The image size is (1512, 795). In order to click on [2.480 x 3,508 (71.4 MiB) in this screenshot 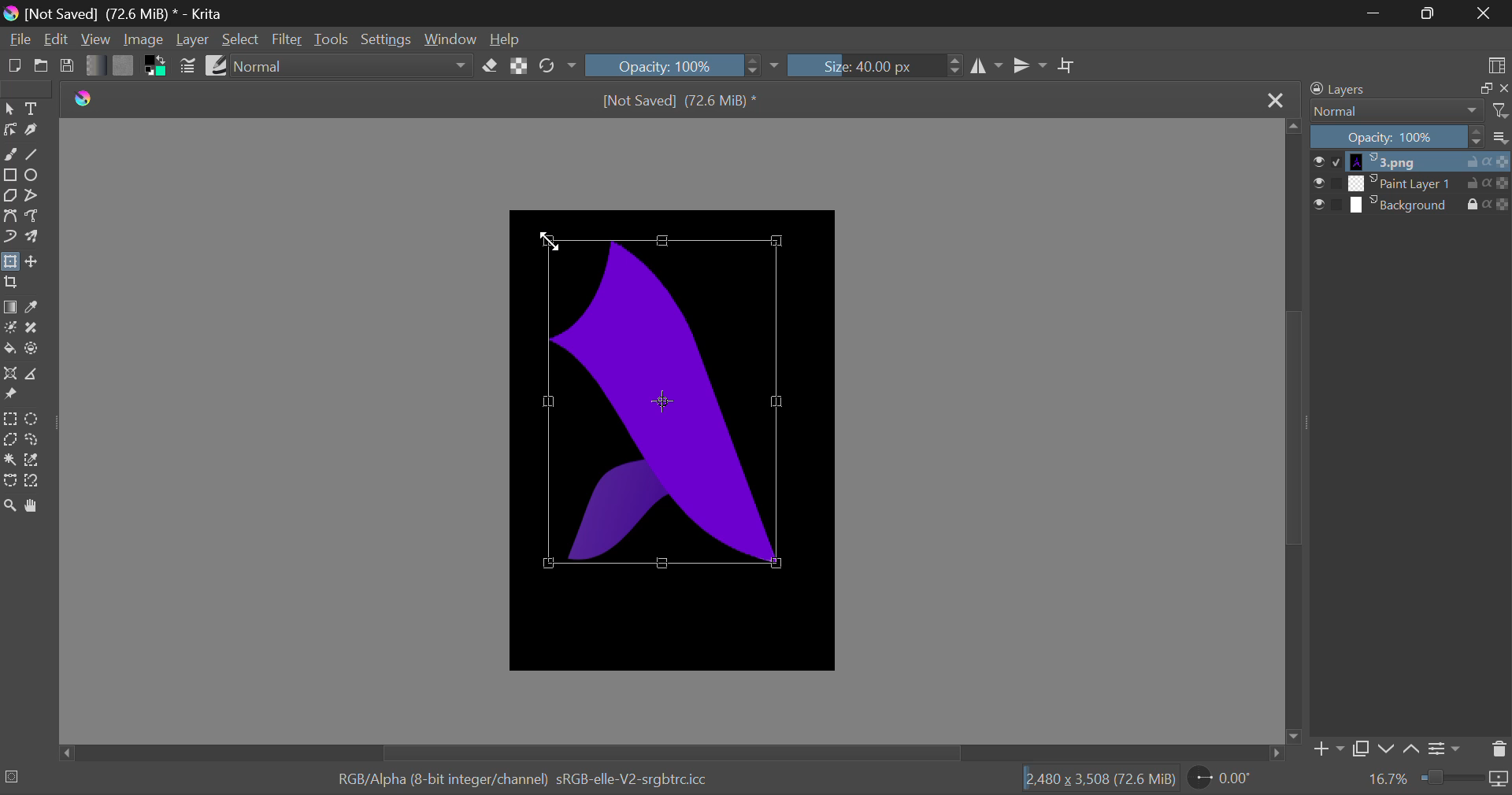, I will do `click(1102, 780)`.